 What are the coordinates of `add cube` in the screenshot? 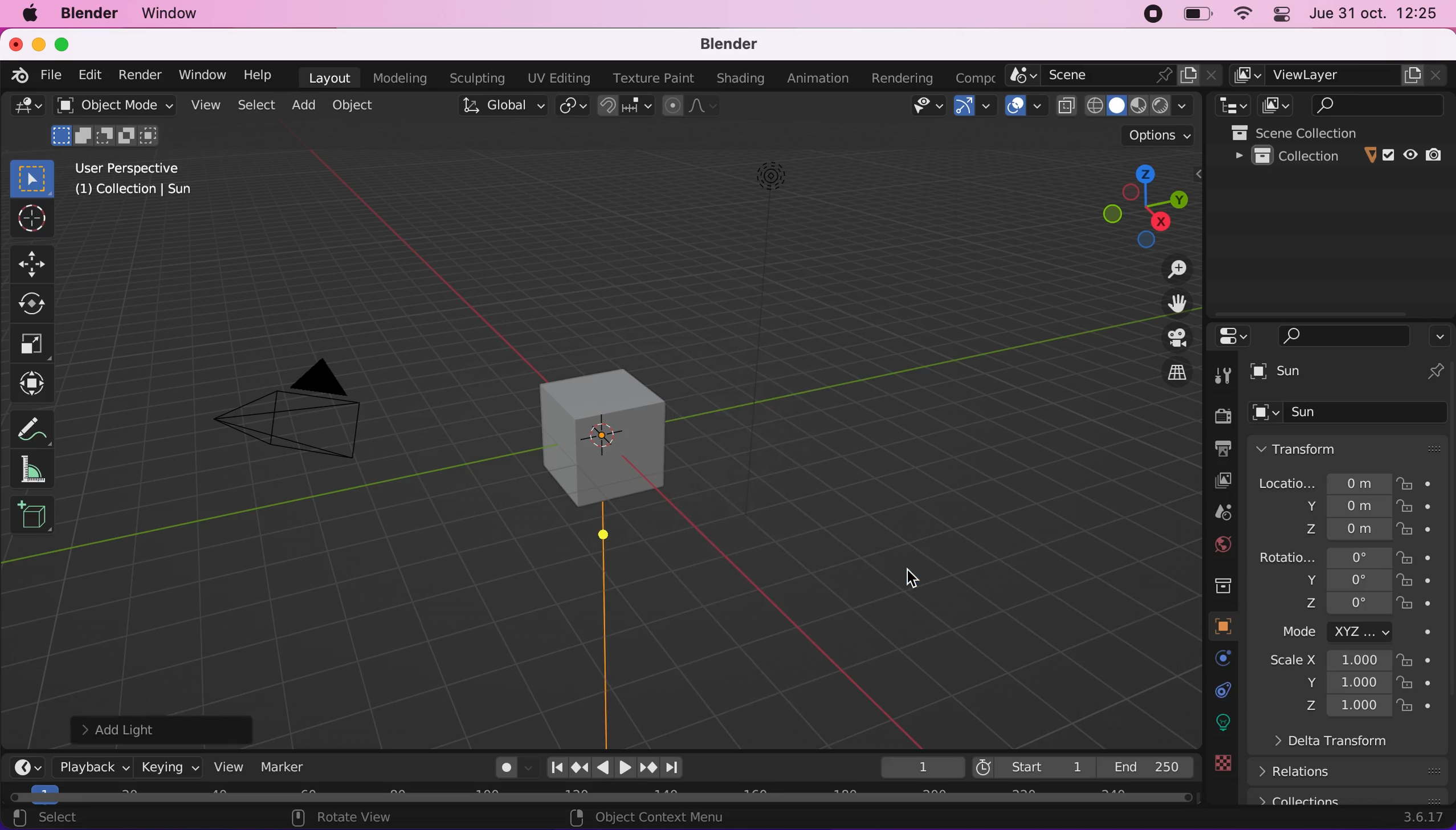 It's located at (32, 516).